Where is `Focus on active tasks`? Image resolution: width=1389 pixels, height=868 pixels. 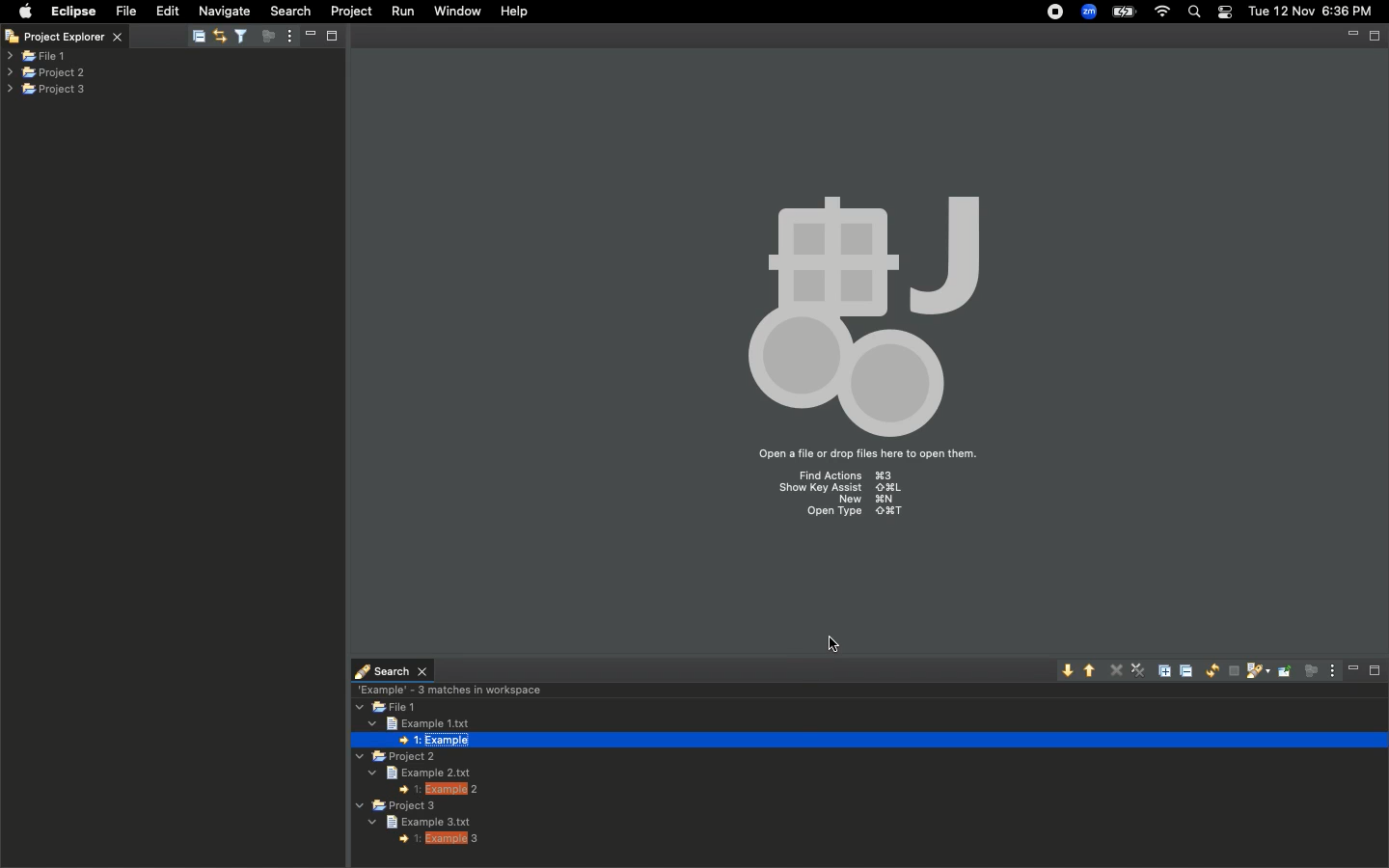
Focus on active tasks is located at coordinates (271, 40).